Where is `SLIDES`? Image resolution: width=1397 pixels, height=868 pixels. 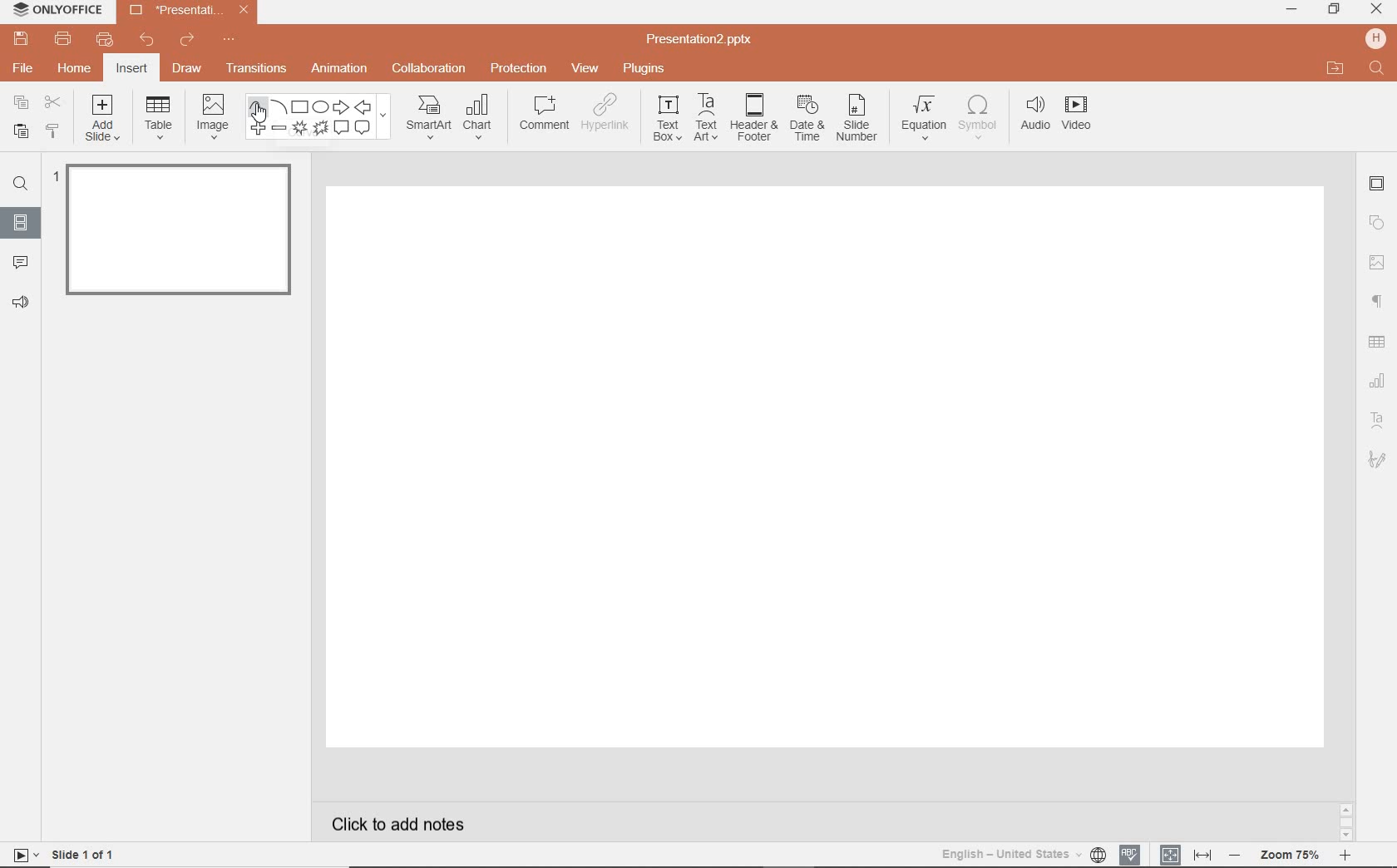 SLIDES is located at coordinates (20, 222).